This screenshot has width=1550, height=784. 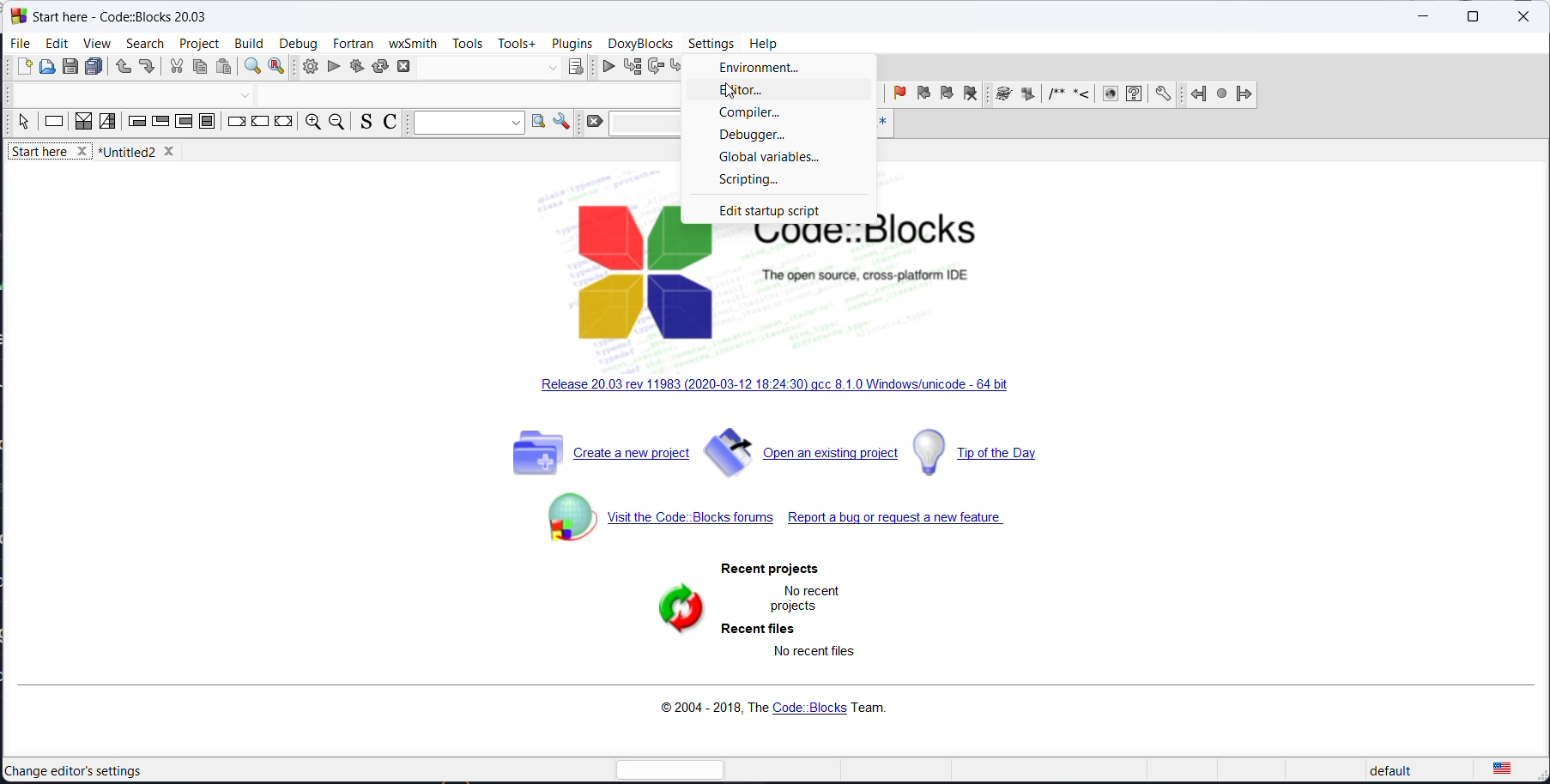 What do you see at coordinates (54, 124) in the screenshot?
I see `instruction` at bounding box center [54, 124].